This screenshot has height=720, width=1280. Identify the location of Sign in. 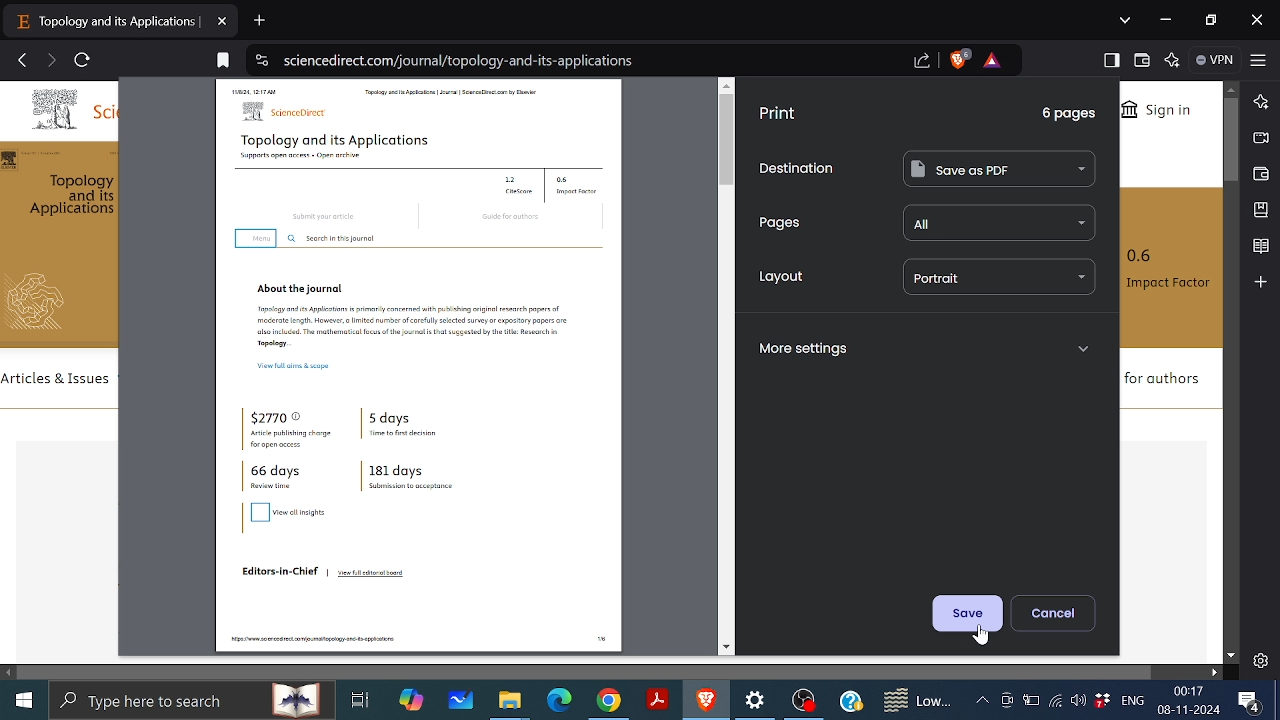
(1159, 111).